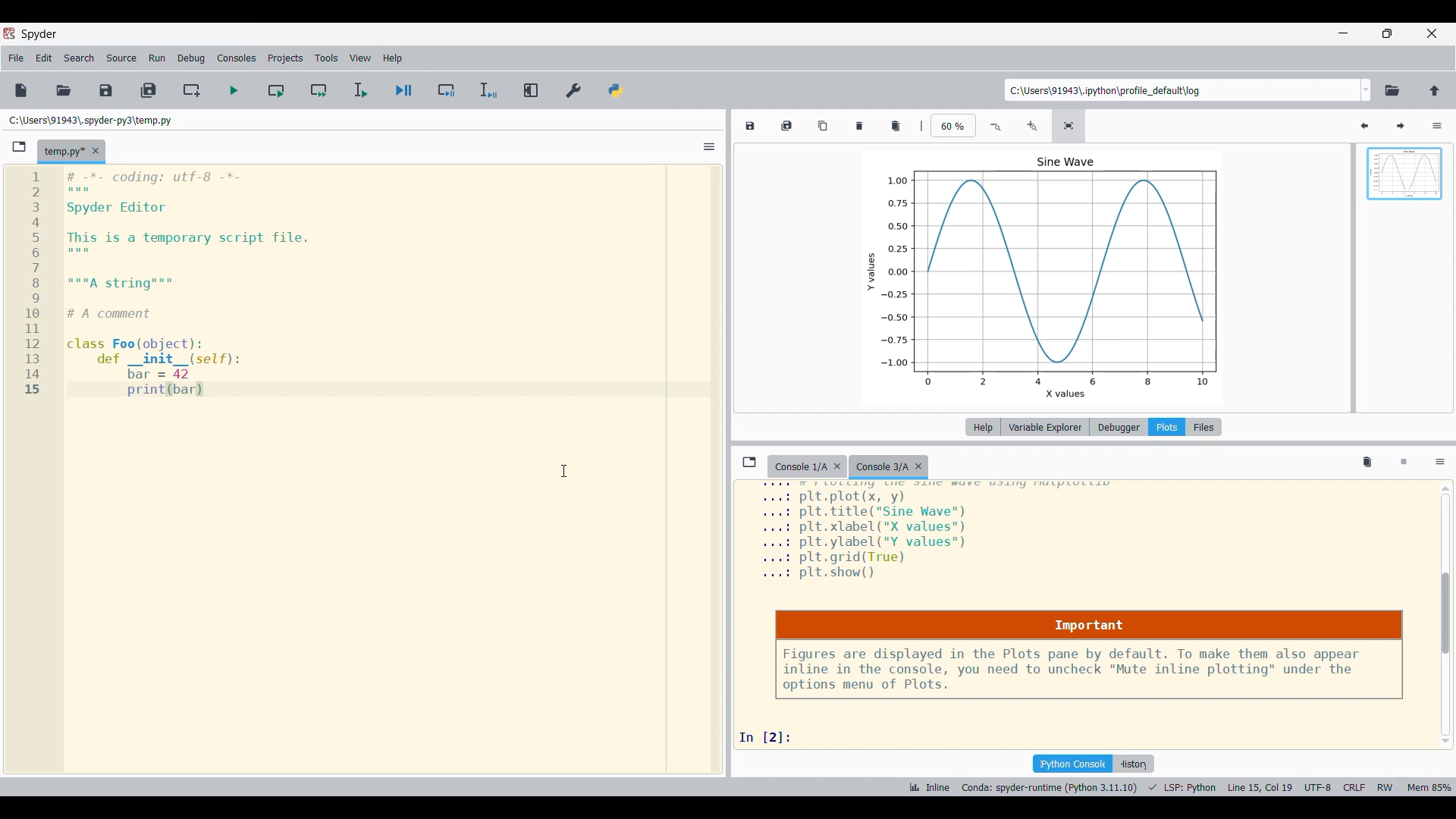 The width and height of the screenshot is (1456, 819). I want to click on Options, so click(1438, 126).